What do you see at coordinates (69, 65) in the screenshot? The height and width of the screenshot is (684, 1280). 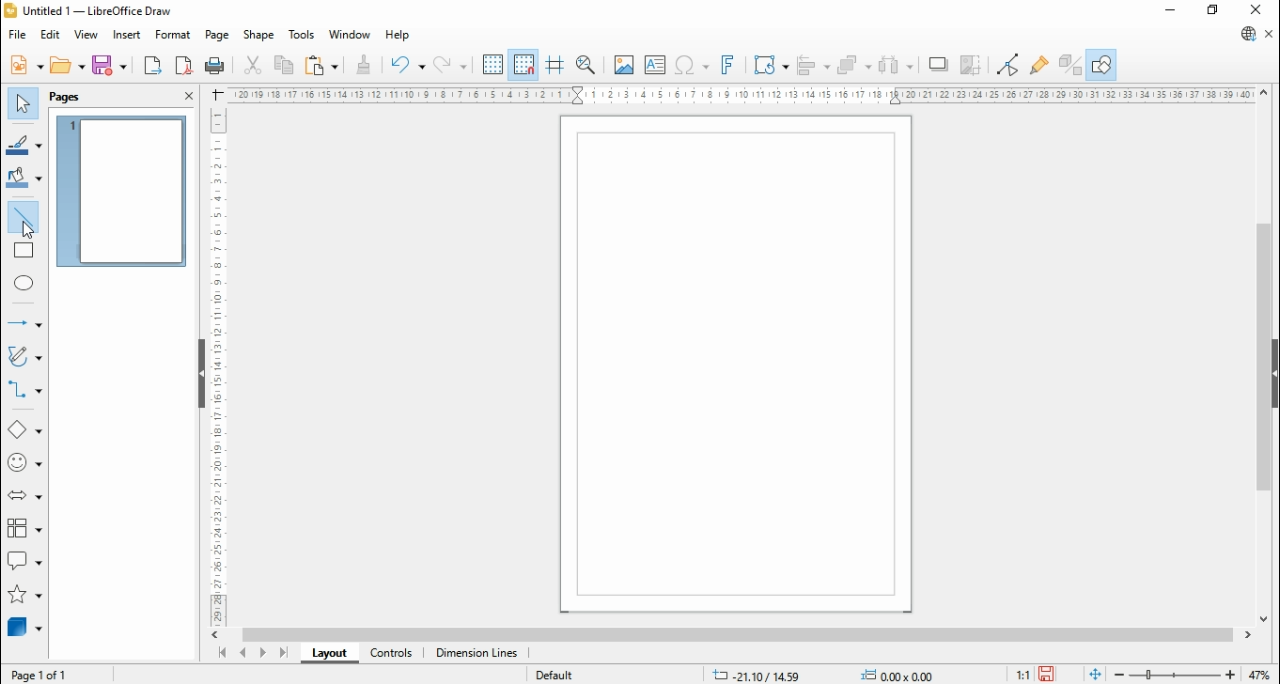 I see `open` at bounding box center [69, 65].